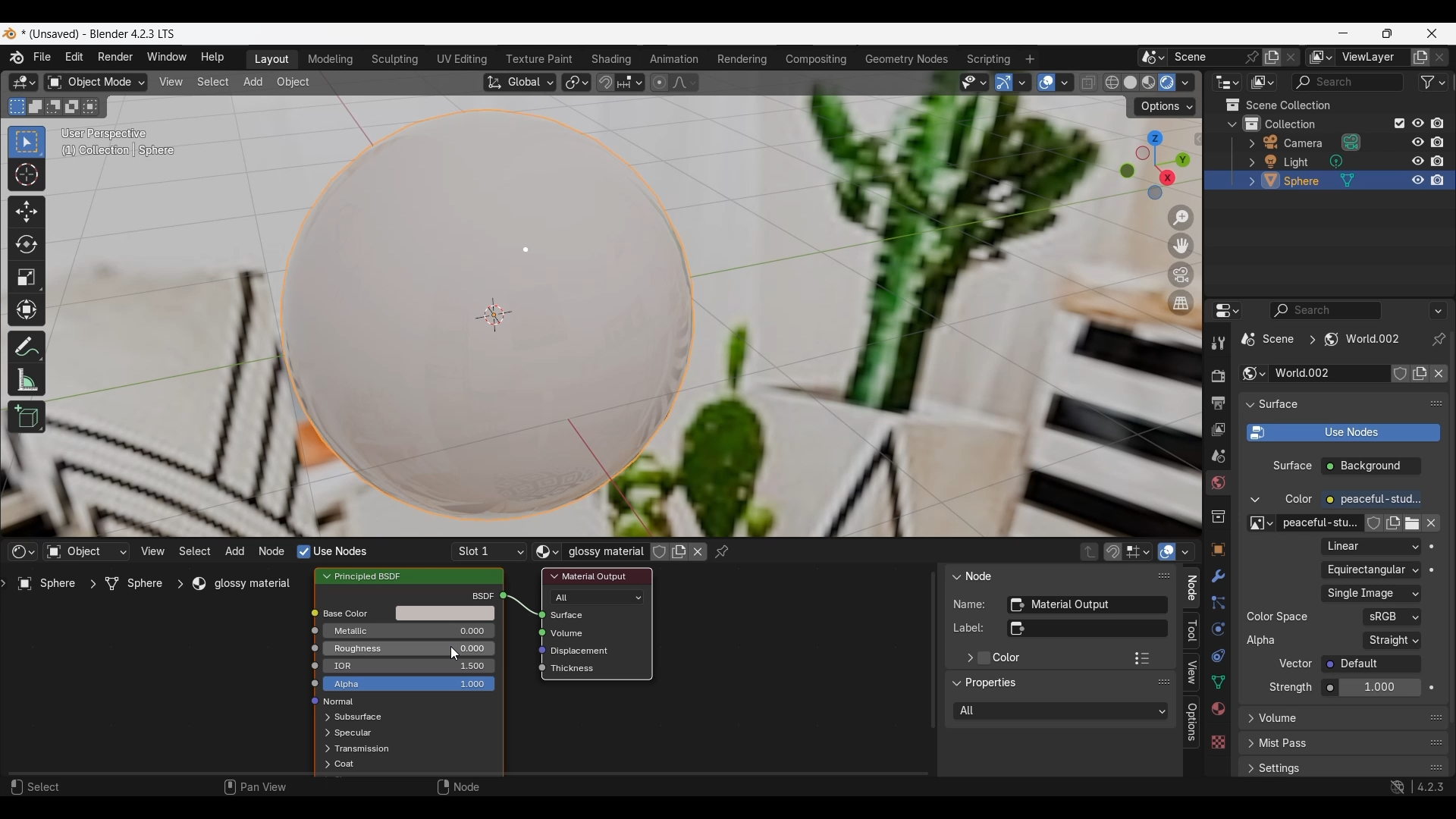  What do you see at coordinates (1218, 628) in the screenshot?
I see `Physics properties` at bounding box center [1218, 628].